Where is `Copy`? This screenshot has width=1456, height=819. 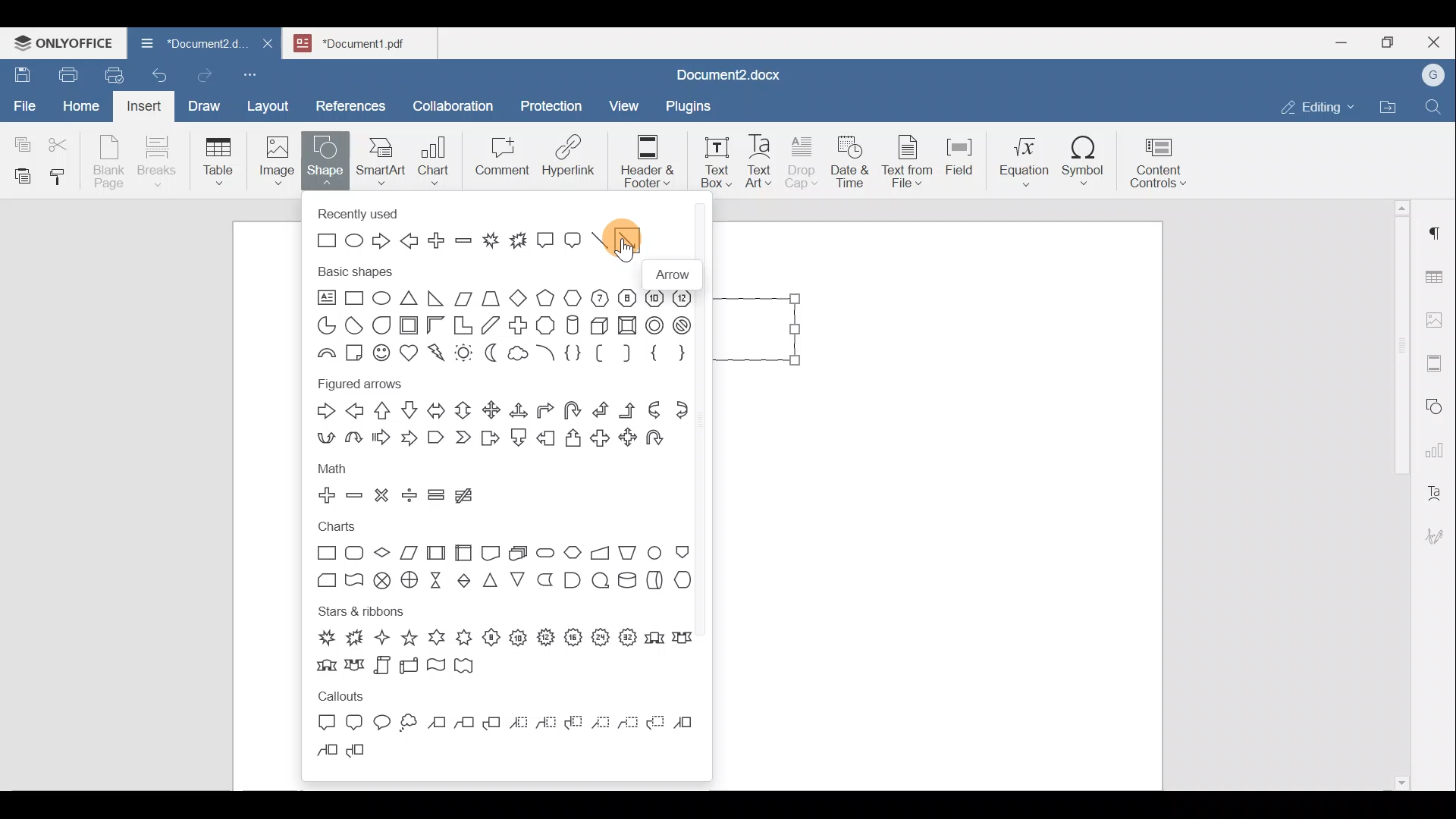
Copy is located at coordinates (20, 140).